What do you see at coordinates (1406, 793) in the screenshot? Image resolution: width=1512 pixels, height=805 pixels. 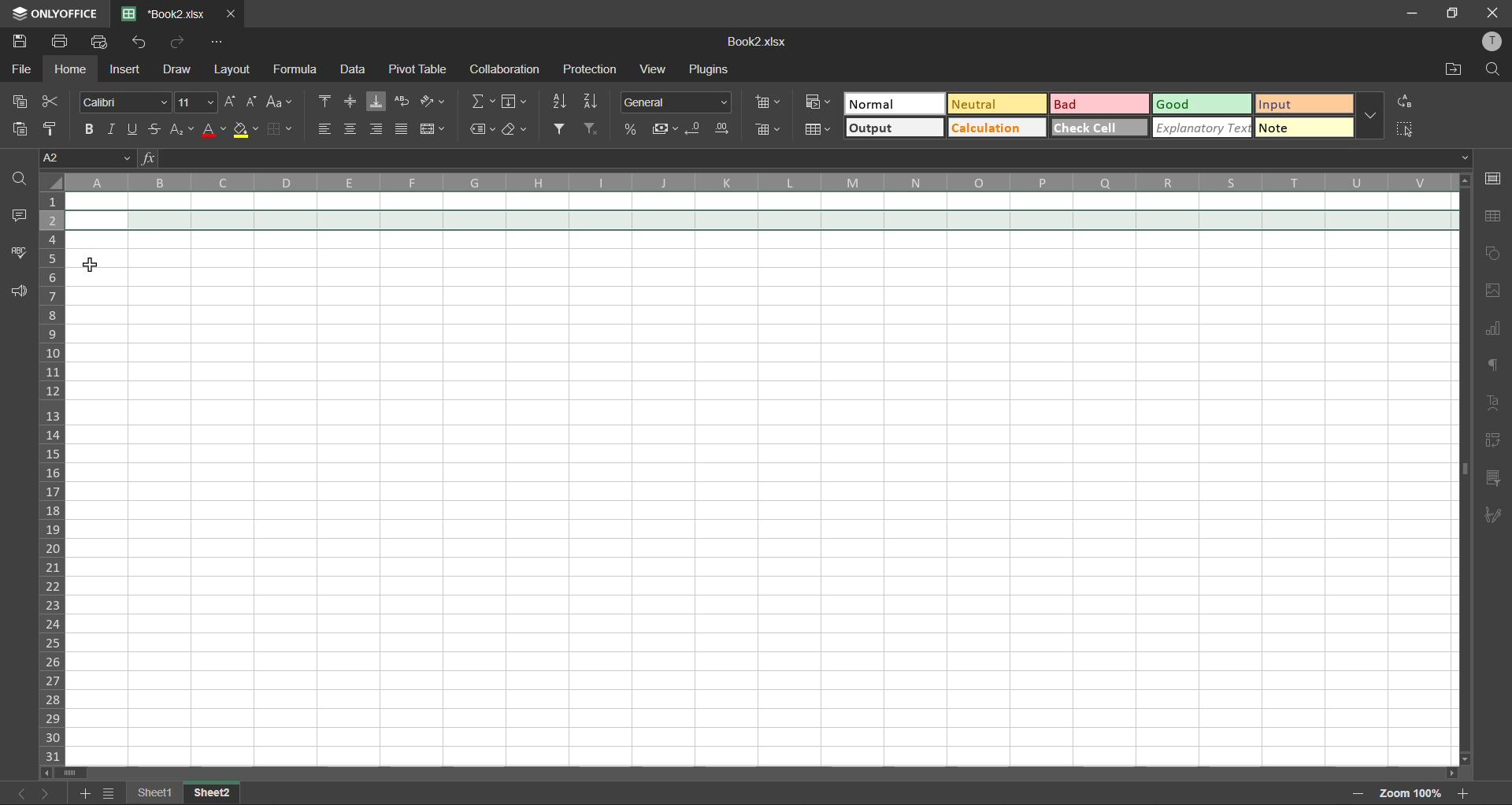 I see `zoom 100%` at bounding box center [1406, 793].